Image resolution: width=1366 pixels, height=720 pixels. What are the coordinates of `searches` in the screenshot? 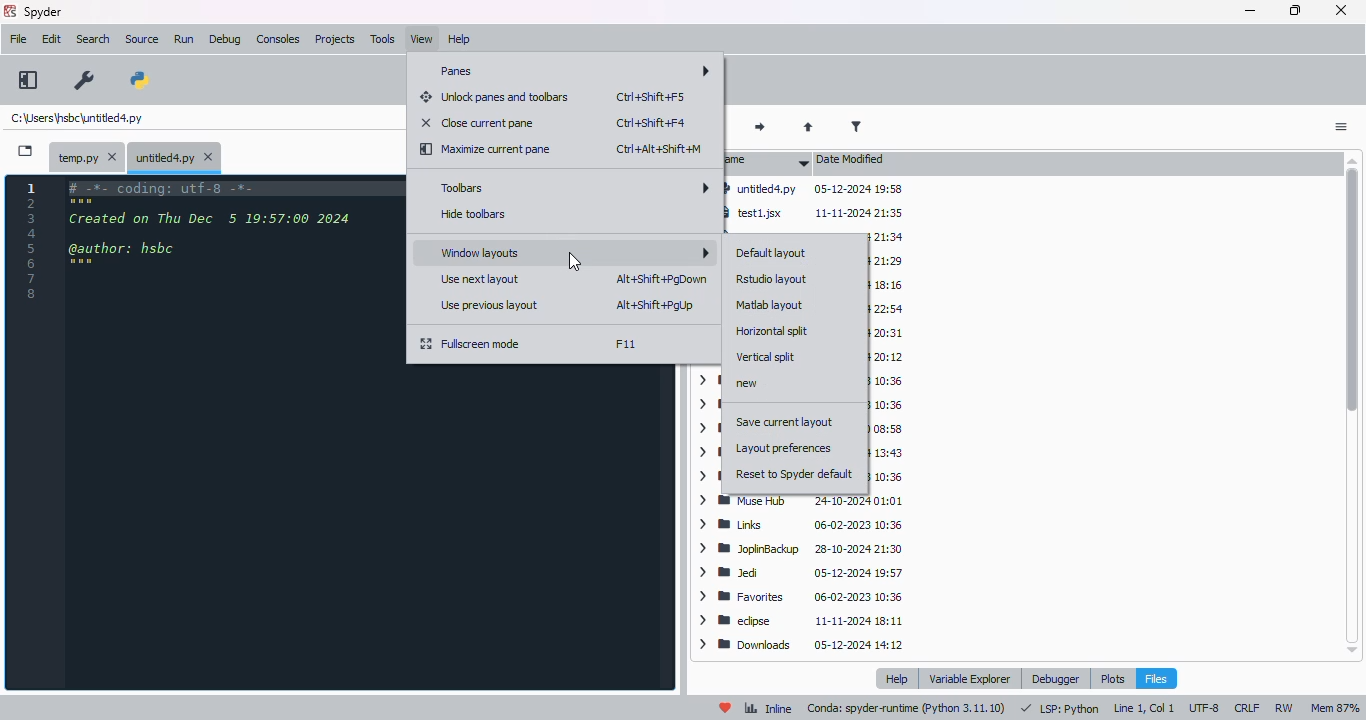 It's located at (890, 383).